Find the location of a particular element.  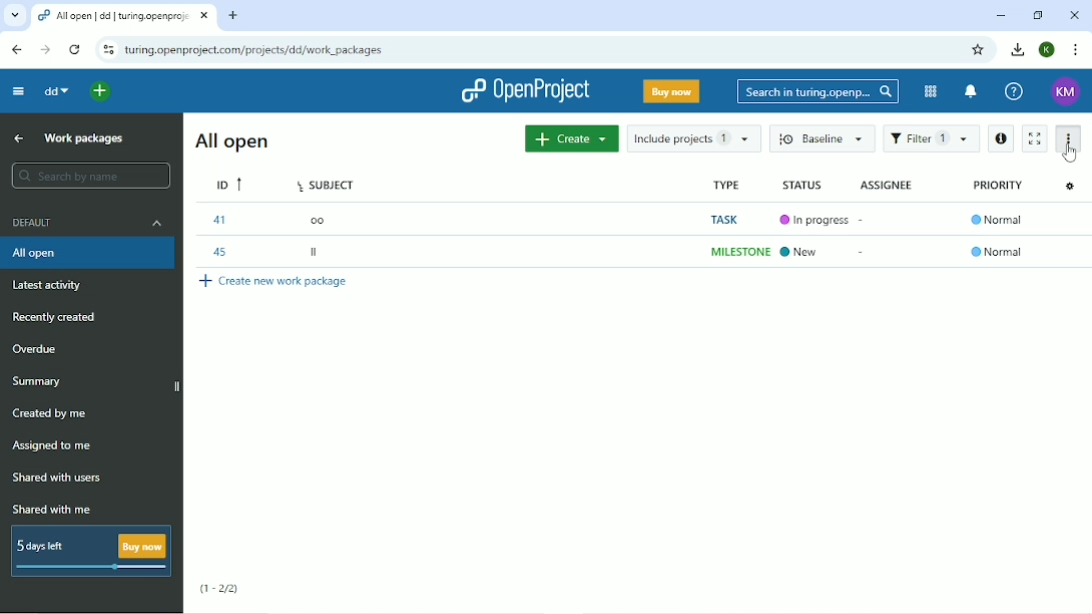

Priority is located at coordinates (1000, 221).